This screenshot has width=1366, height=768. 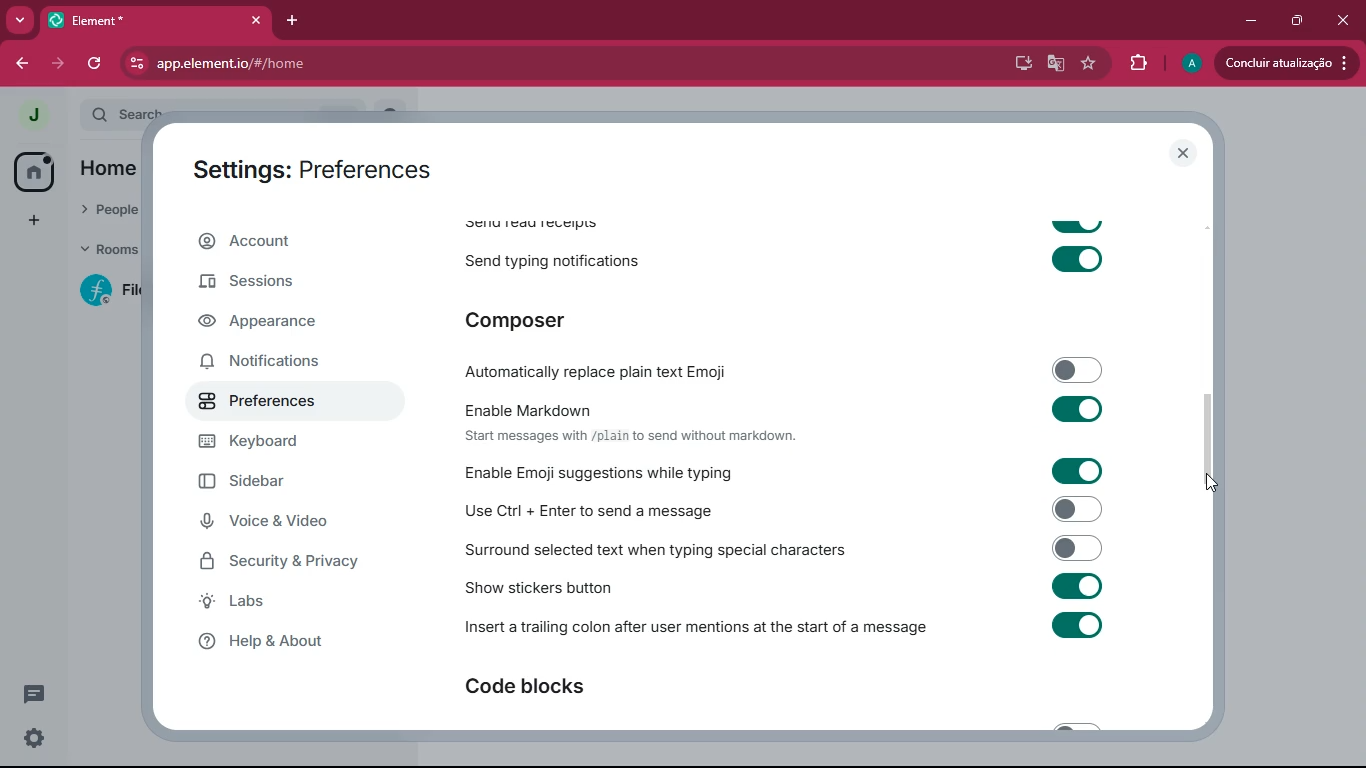 What do you see at coordinates (1087, 63) in the screenshot?
I see `favourite` at bounding box center [1087, 63].